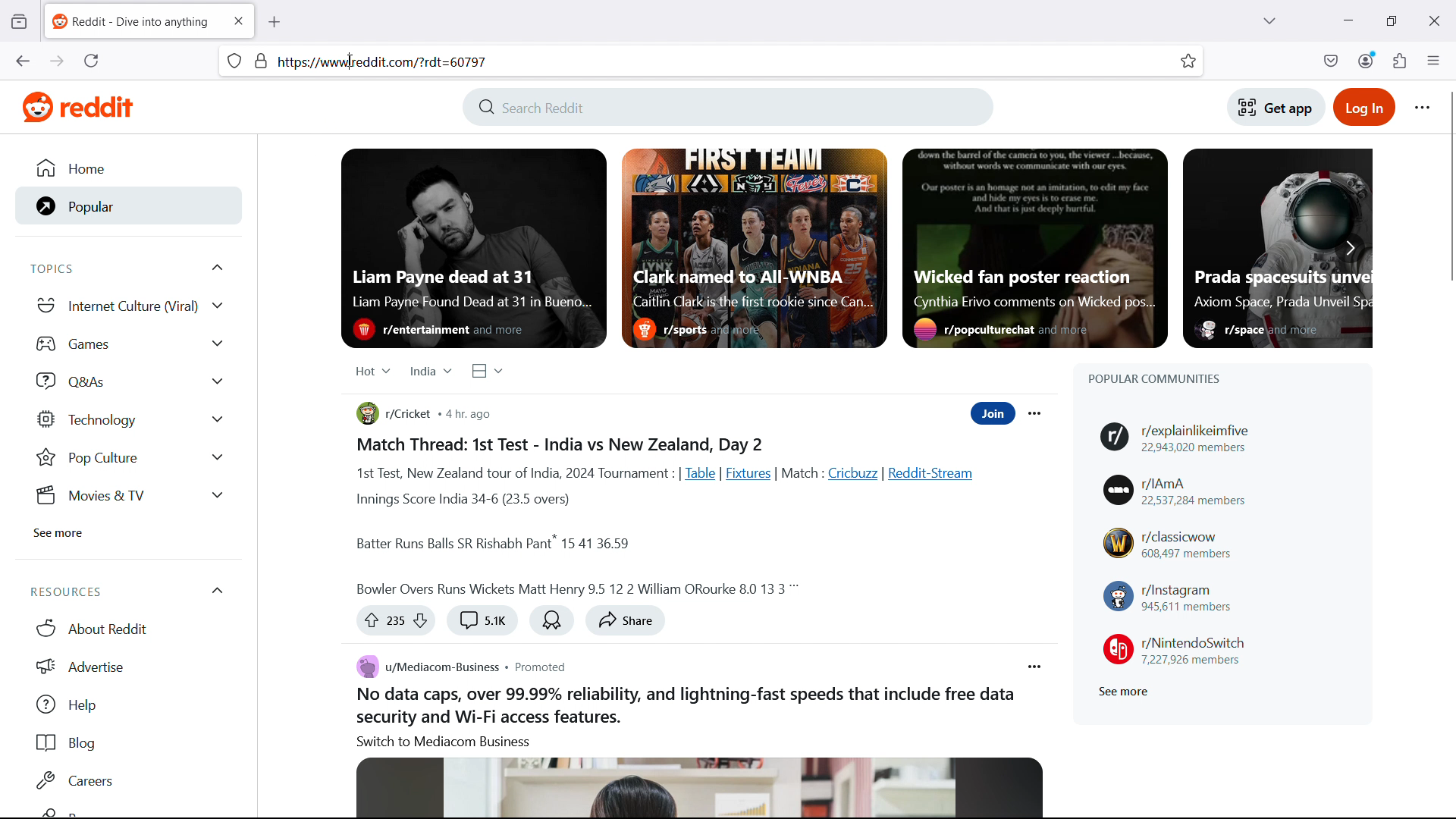 Image resolution: width=1456 pixels, height=819 pixels. I want to click on Select view, so click(488, 371).